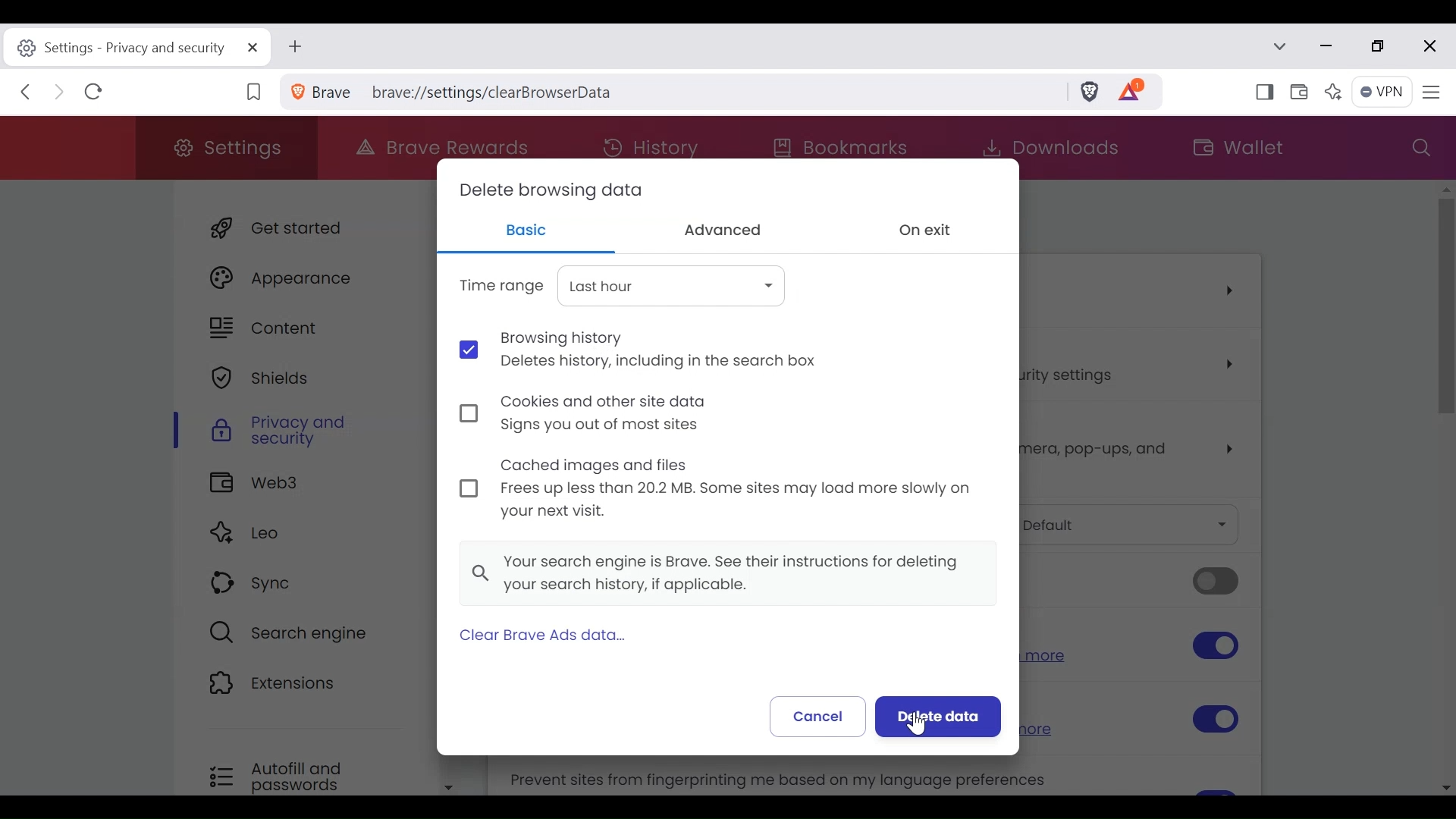  What do you see at coordinates (294, 776) in the screenshot?
I see `Autofill and passwords` at bounding box center [294, 776].